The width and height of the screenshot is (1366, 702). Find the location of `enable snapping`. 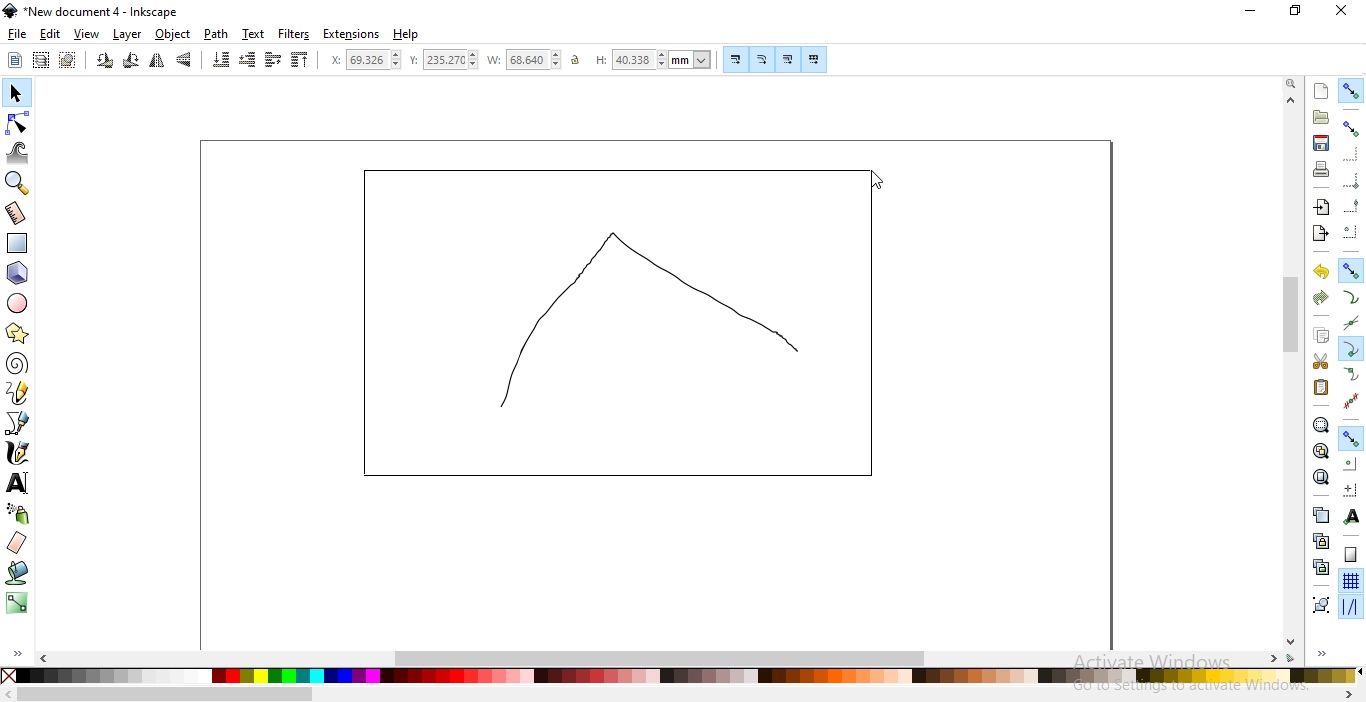

enable snapping is located at coordinates (1351, 91).